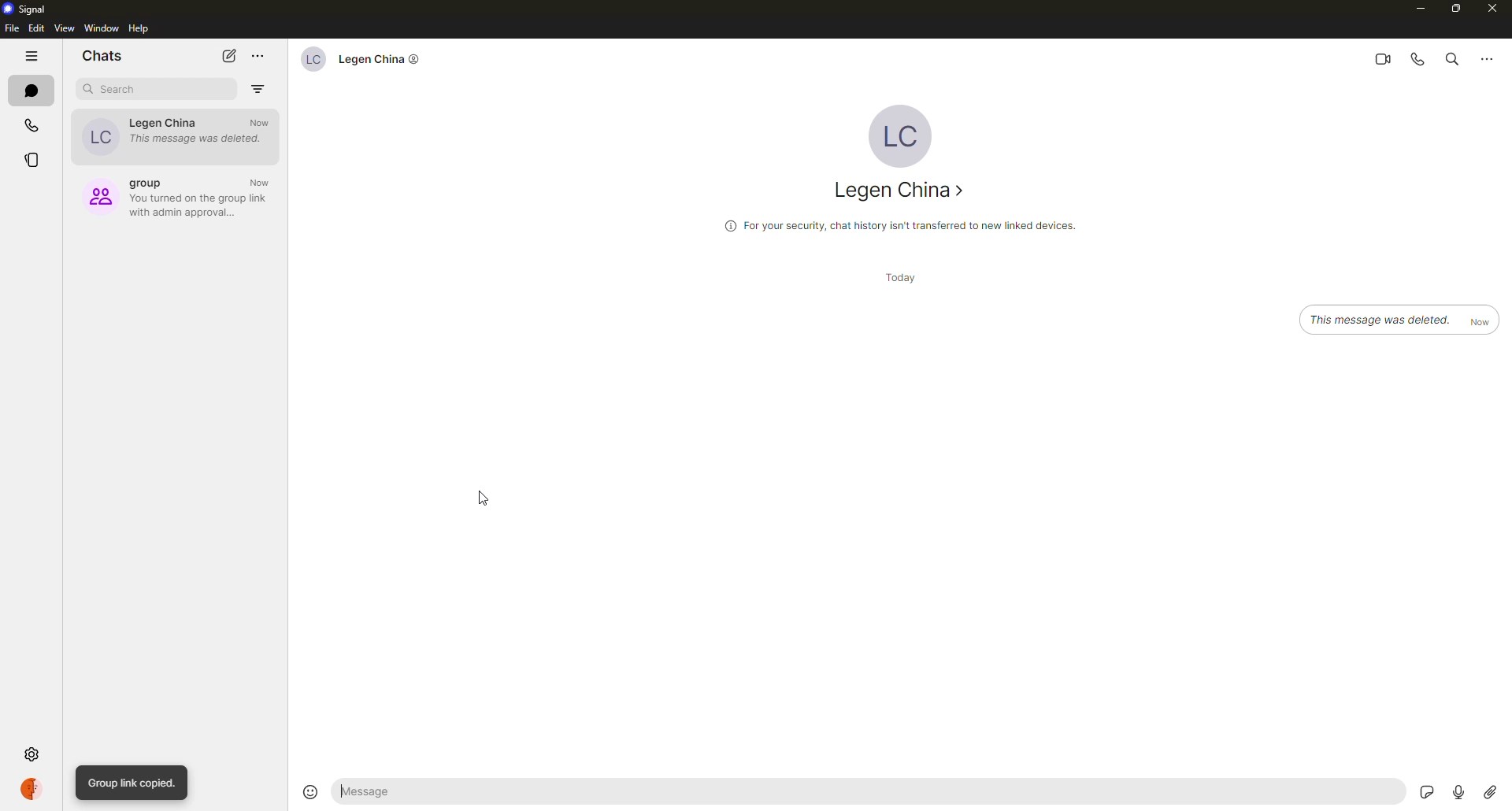  I want to click on signal, so click(29, 9).